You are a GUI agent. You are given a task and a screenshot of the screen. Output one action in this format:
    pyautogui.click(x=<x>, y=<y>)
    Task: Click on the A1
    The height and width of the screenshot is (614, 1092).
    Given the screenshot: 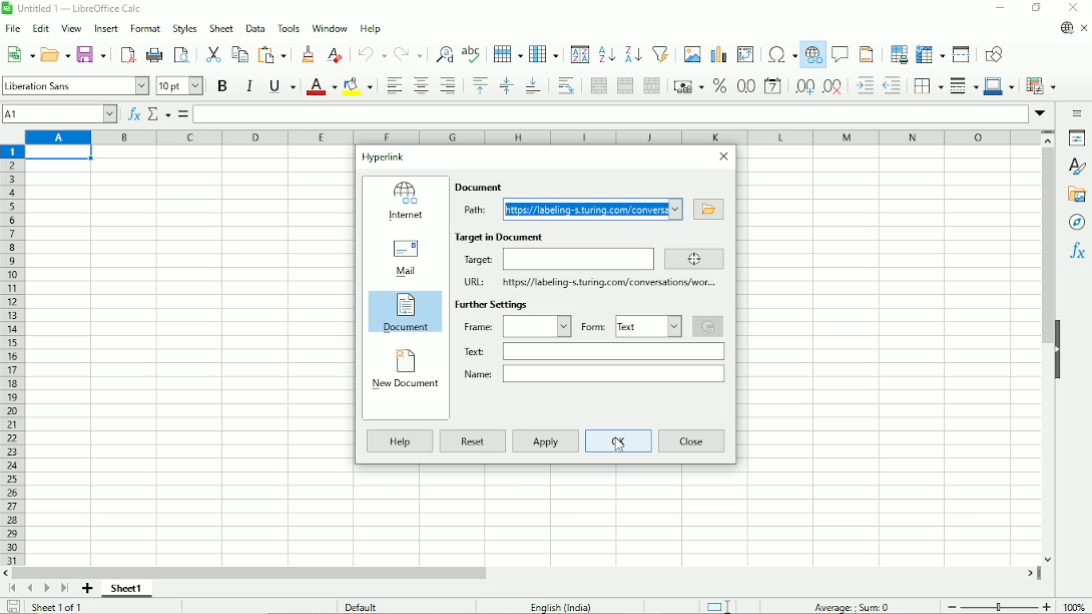 What is the action you would take?
    pyautogui.click(x=61, y=115)
    